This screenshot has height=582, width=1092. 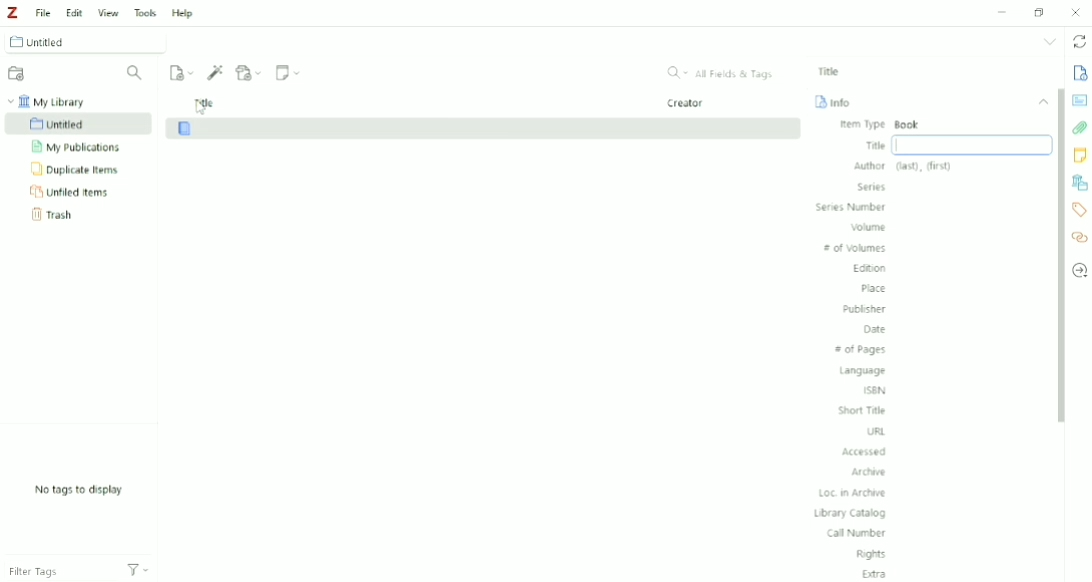 I want to click on New Collection, so click(x=18, y=74).